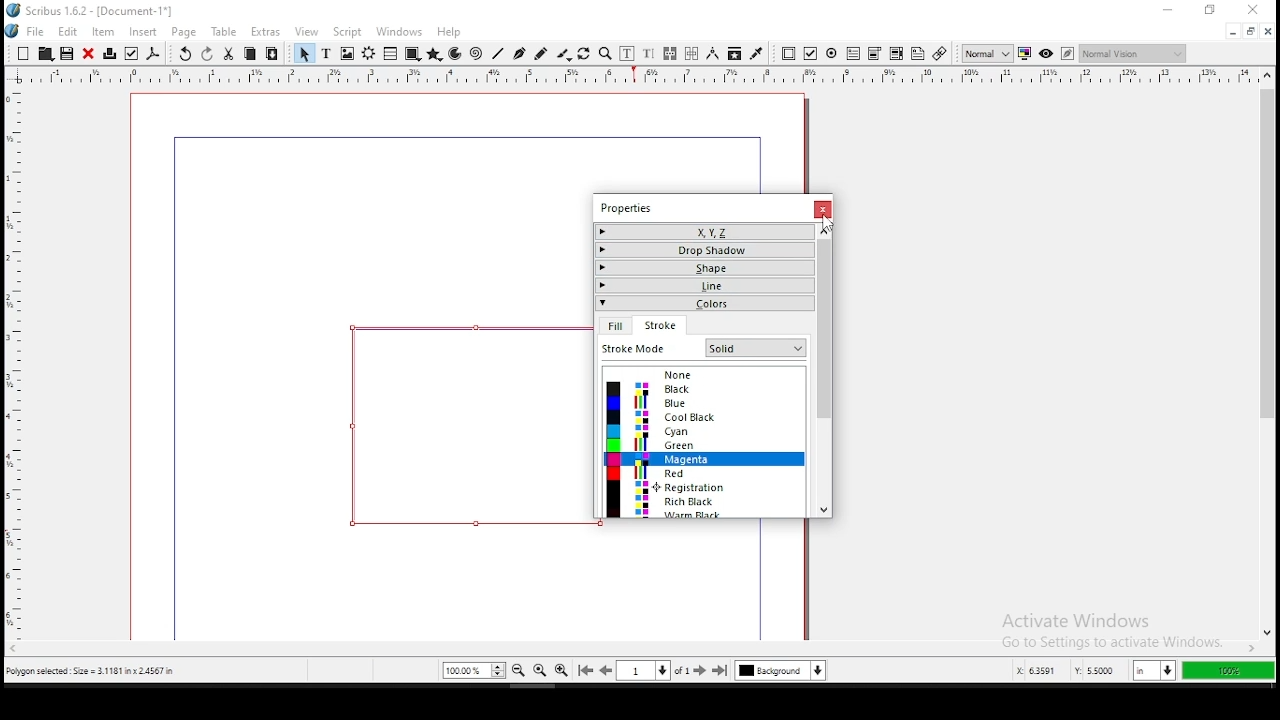 The image size is (1280, 720). What do you see at coordinates (541, 53) in the screenshot?
I see `freehand line` at bounding box center [541, 53].